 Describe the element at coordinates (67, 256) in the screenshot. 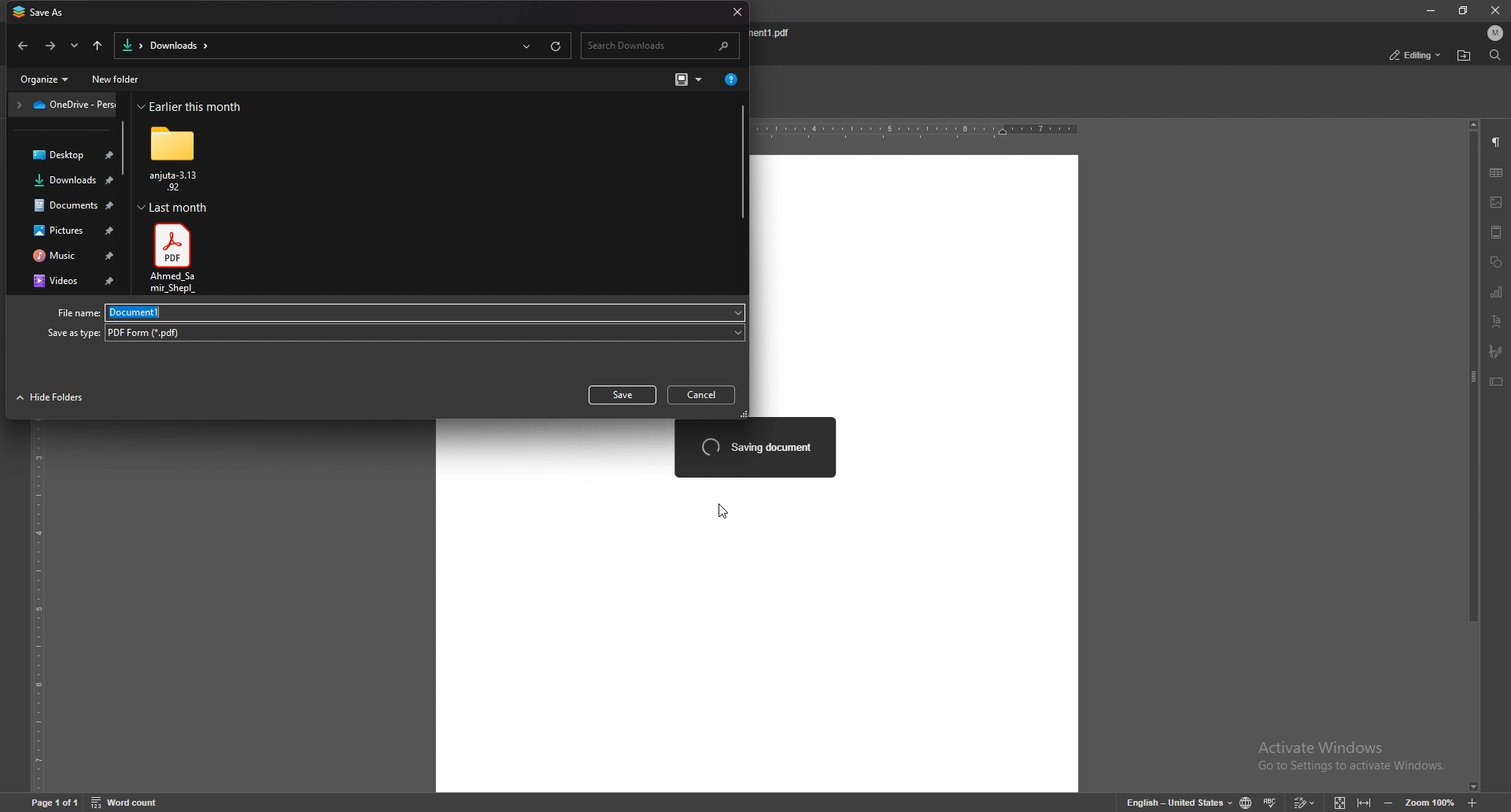

I see `music` at that location.